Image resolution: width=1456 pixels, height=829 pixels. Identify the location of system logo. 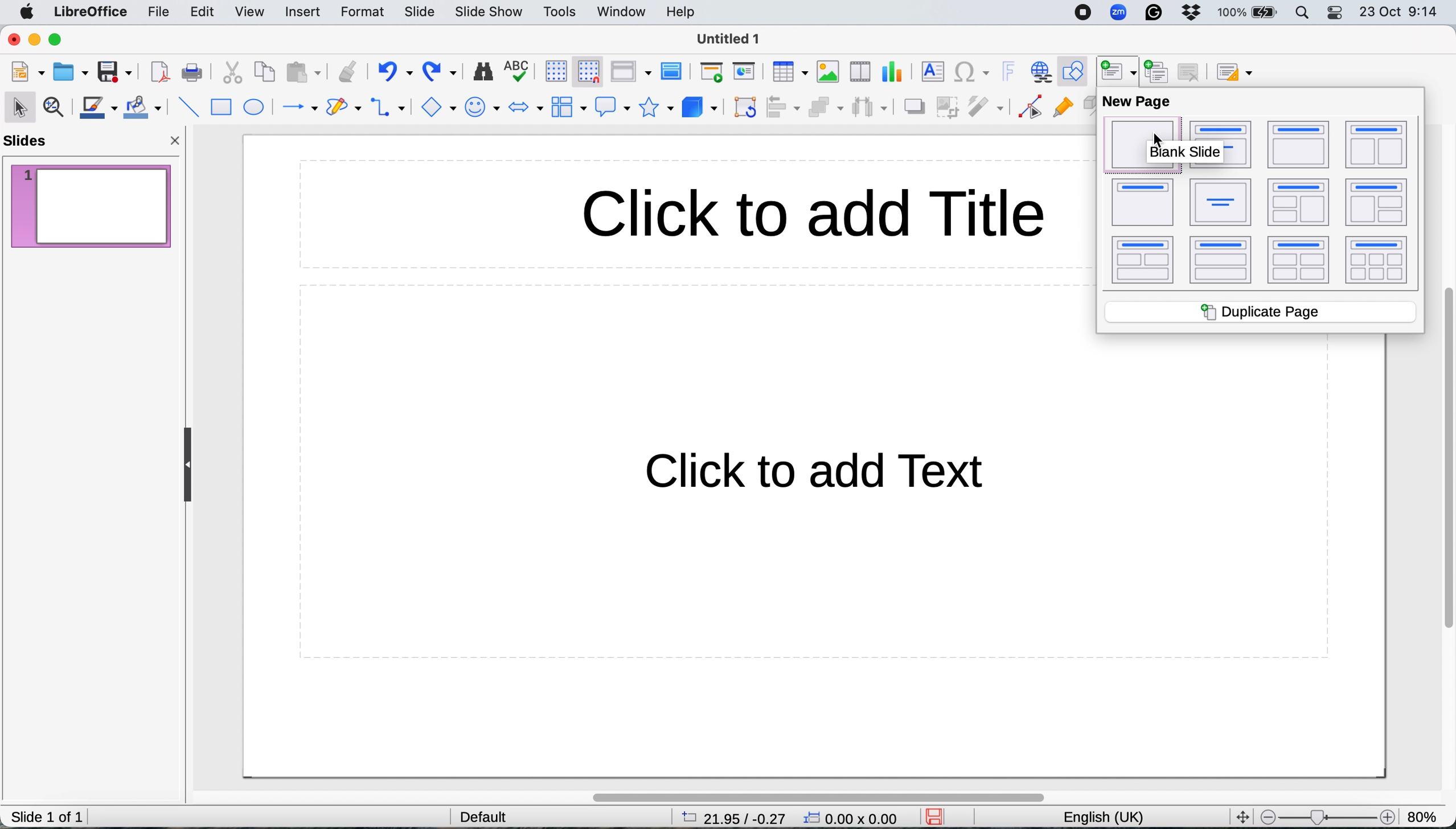
(26, 13).